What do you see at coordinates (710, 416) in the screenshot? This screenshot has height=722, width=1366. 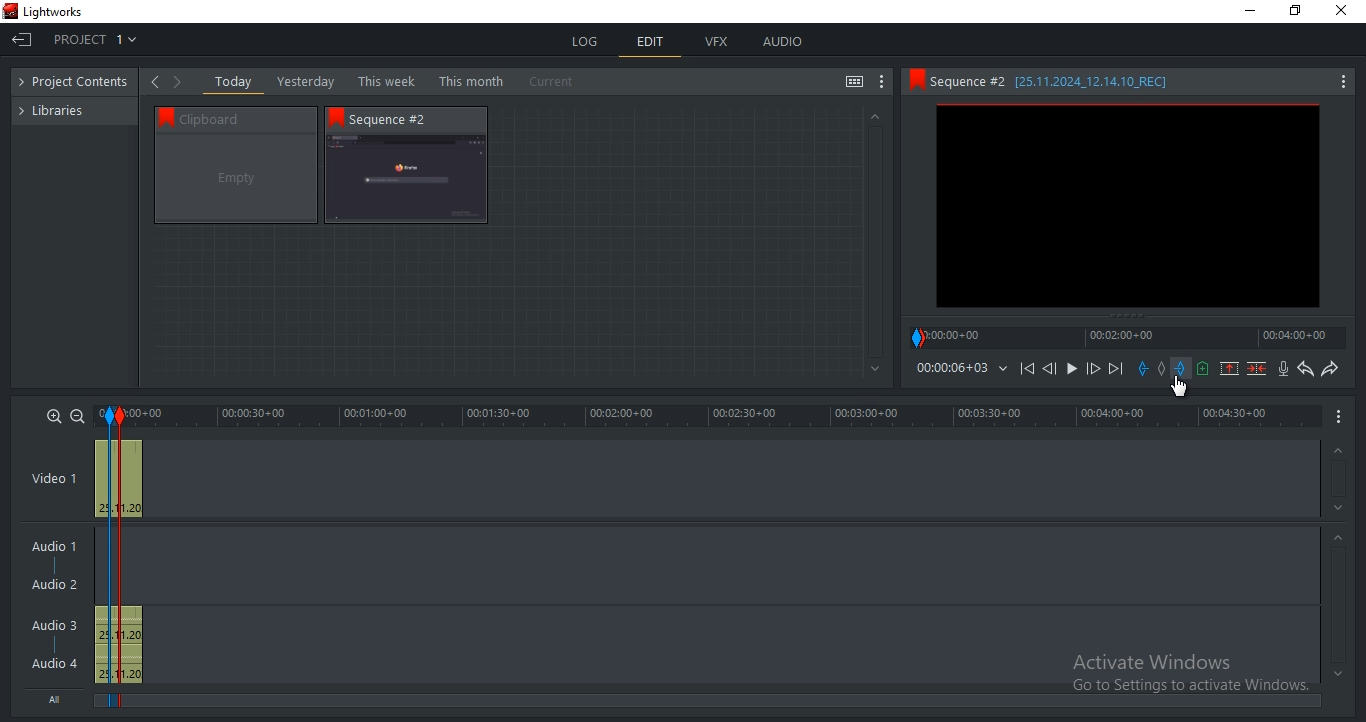 I see `timeline` at bounding box center [710, 416].